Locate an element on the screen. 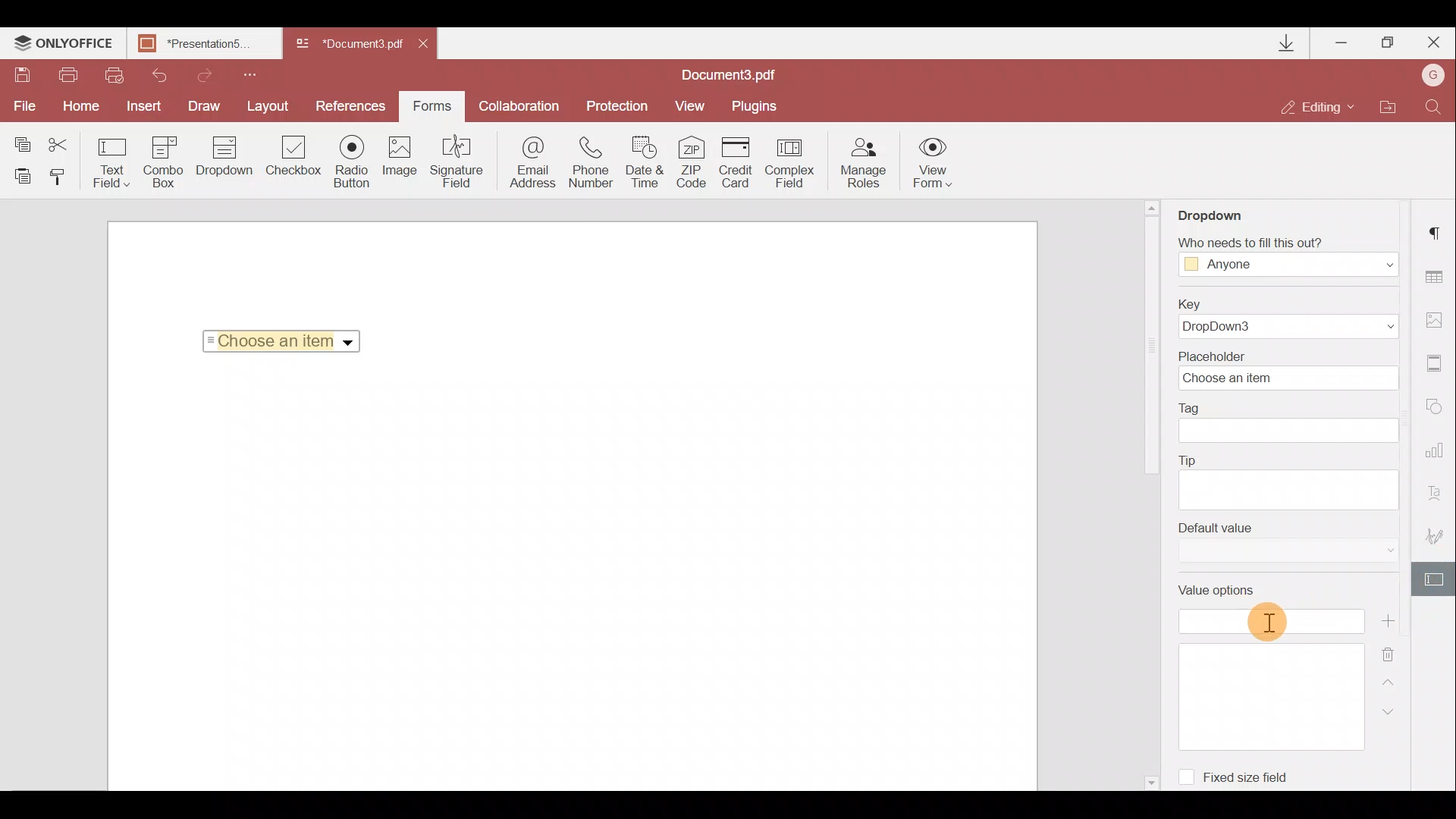  Open file location is located at coordinates (1389, 106).